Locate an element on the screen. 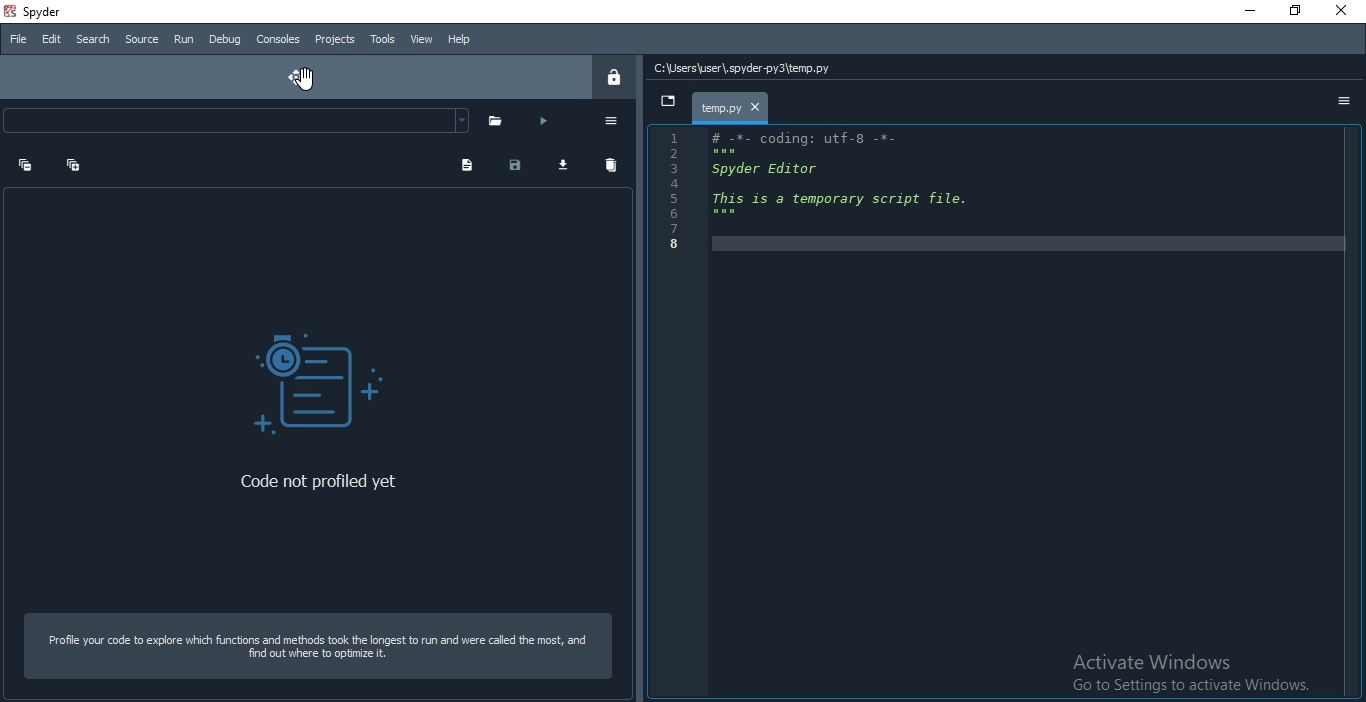 The image size is (1366, 702). dropdown is located at coordinates (670, 100).